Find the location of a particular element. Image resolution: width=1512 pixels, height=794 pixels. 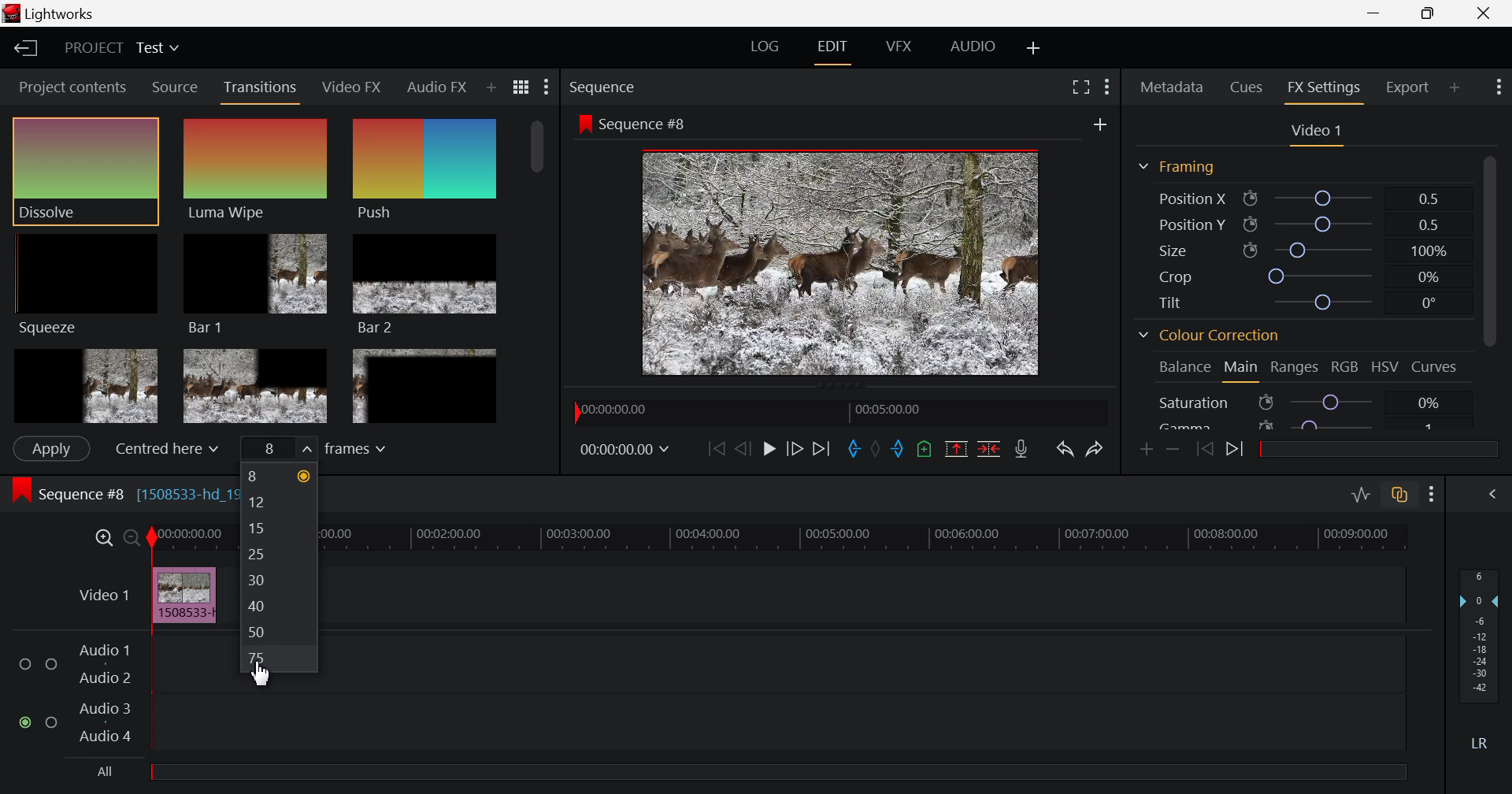

Main is located at coordinates (1241, 369).